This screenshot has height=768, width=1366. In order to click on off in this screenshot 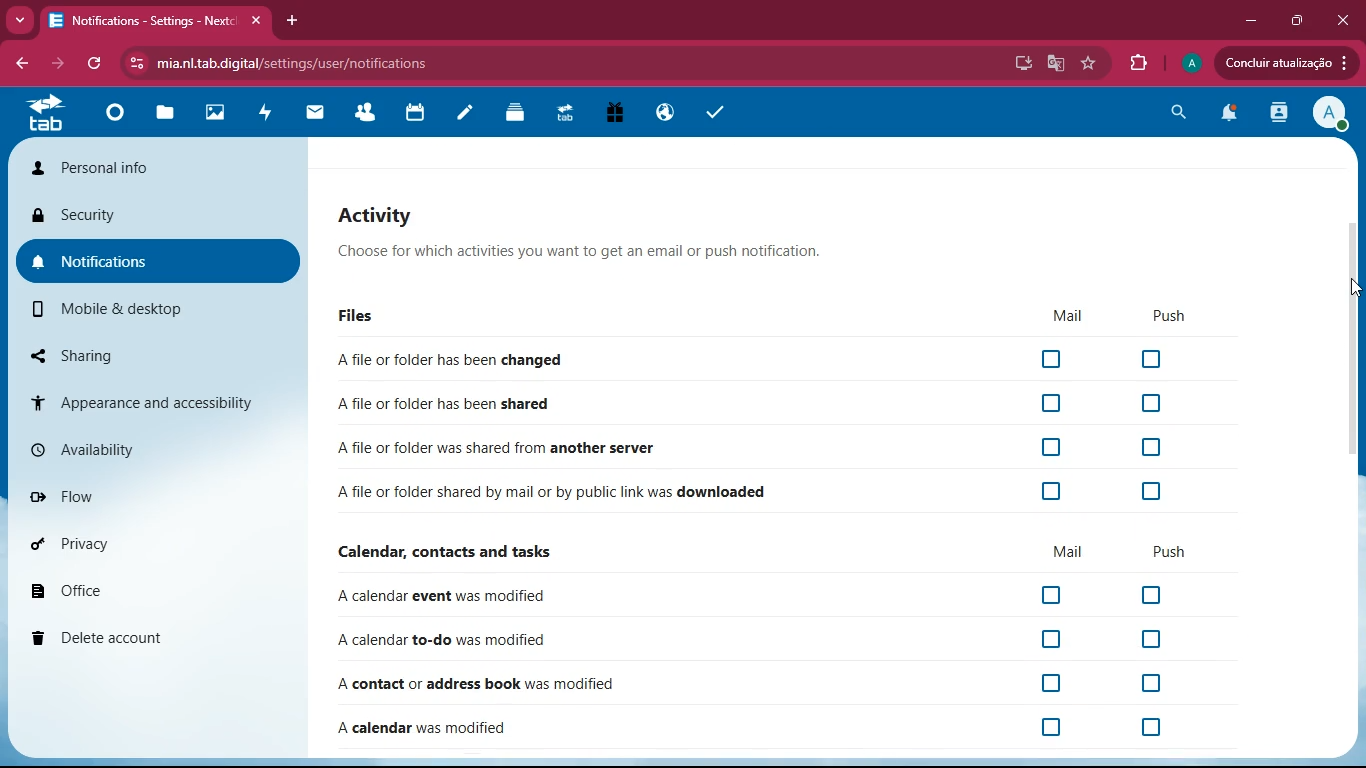, I will do `click(1154, 641)`.